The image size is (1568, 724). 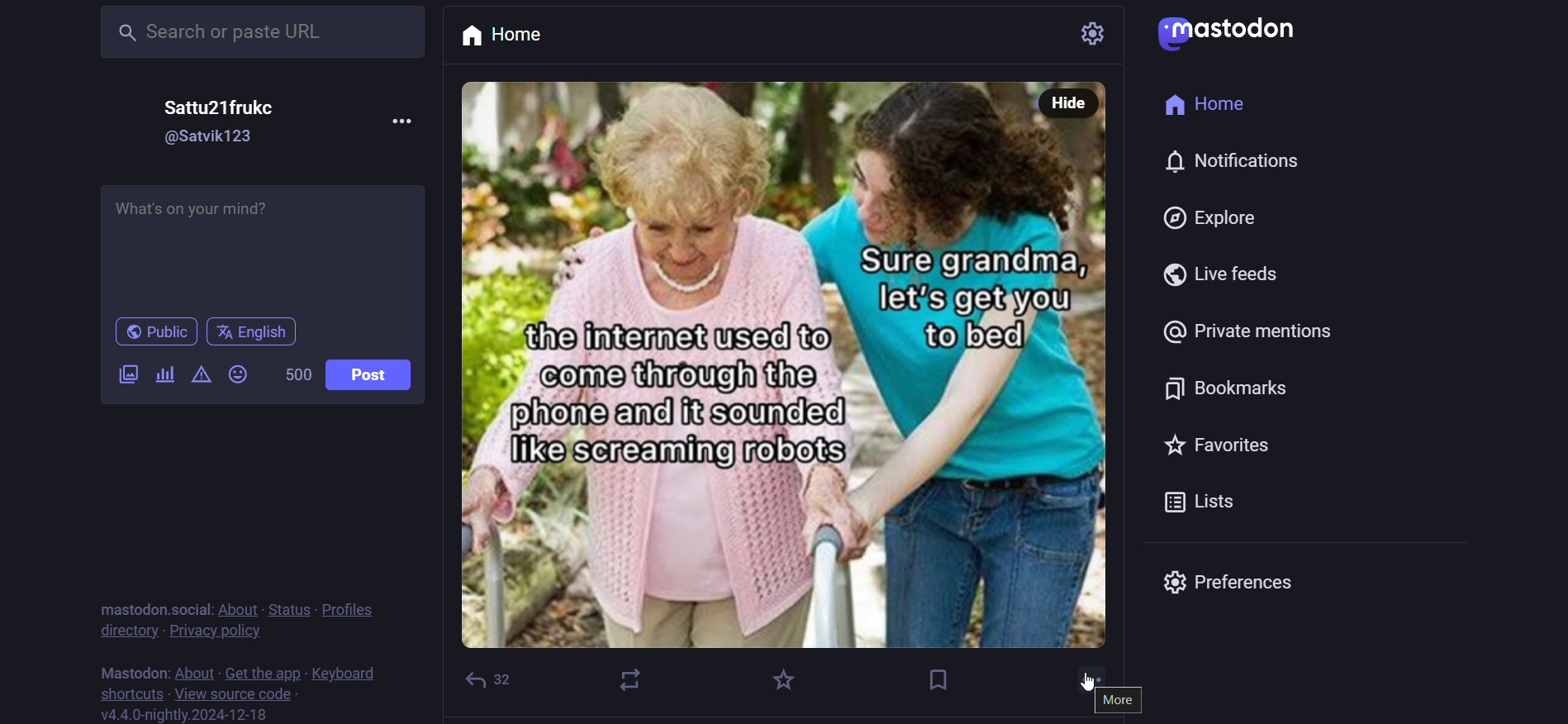 What do you see at coordinates (1228, 273) in the screenshot?
I see `live feed` at bounding box center [1228, 273].